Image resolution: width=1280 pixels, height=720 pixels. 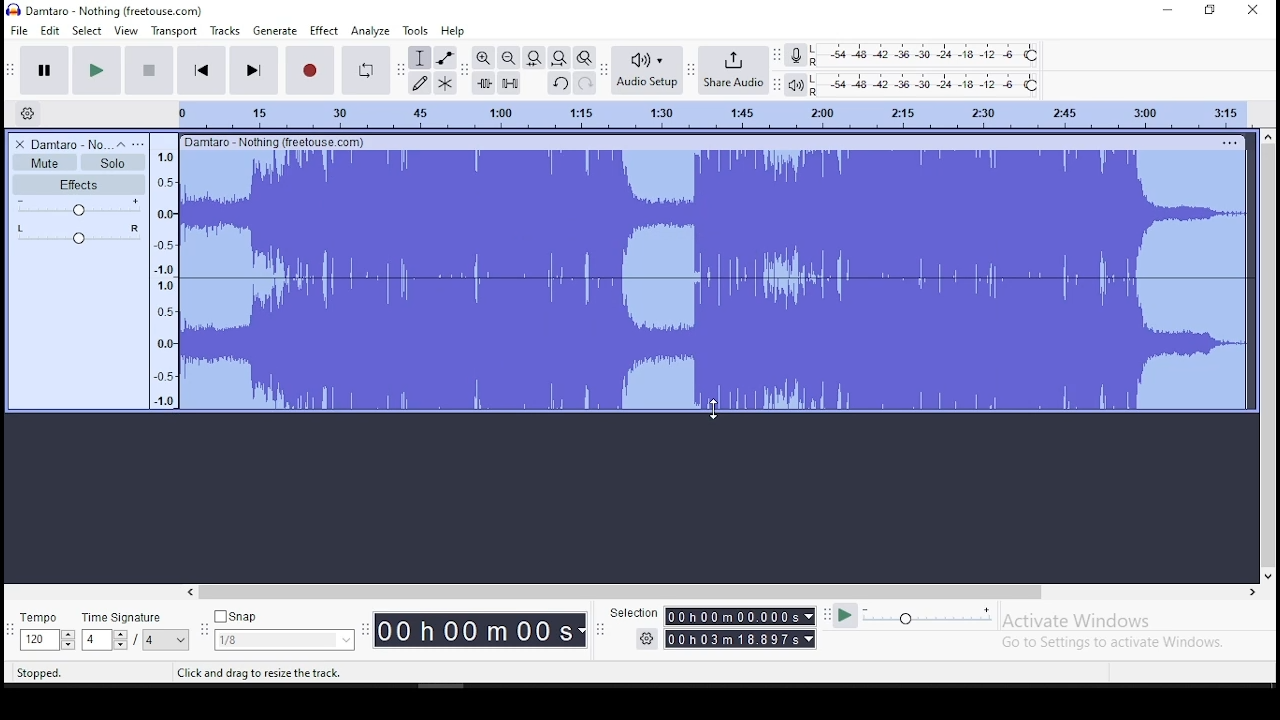 What do you see at coordinates (141, 142) in the screenshot?
I see `open menu` at bounding box center [141, 142].